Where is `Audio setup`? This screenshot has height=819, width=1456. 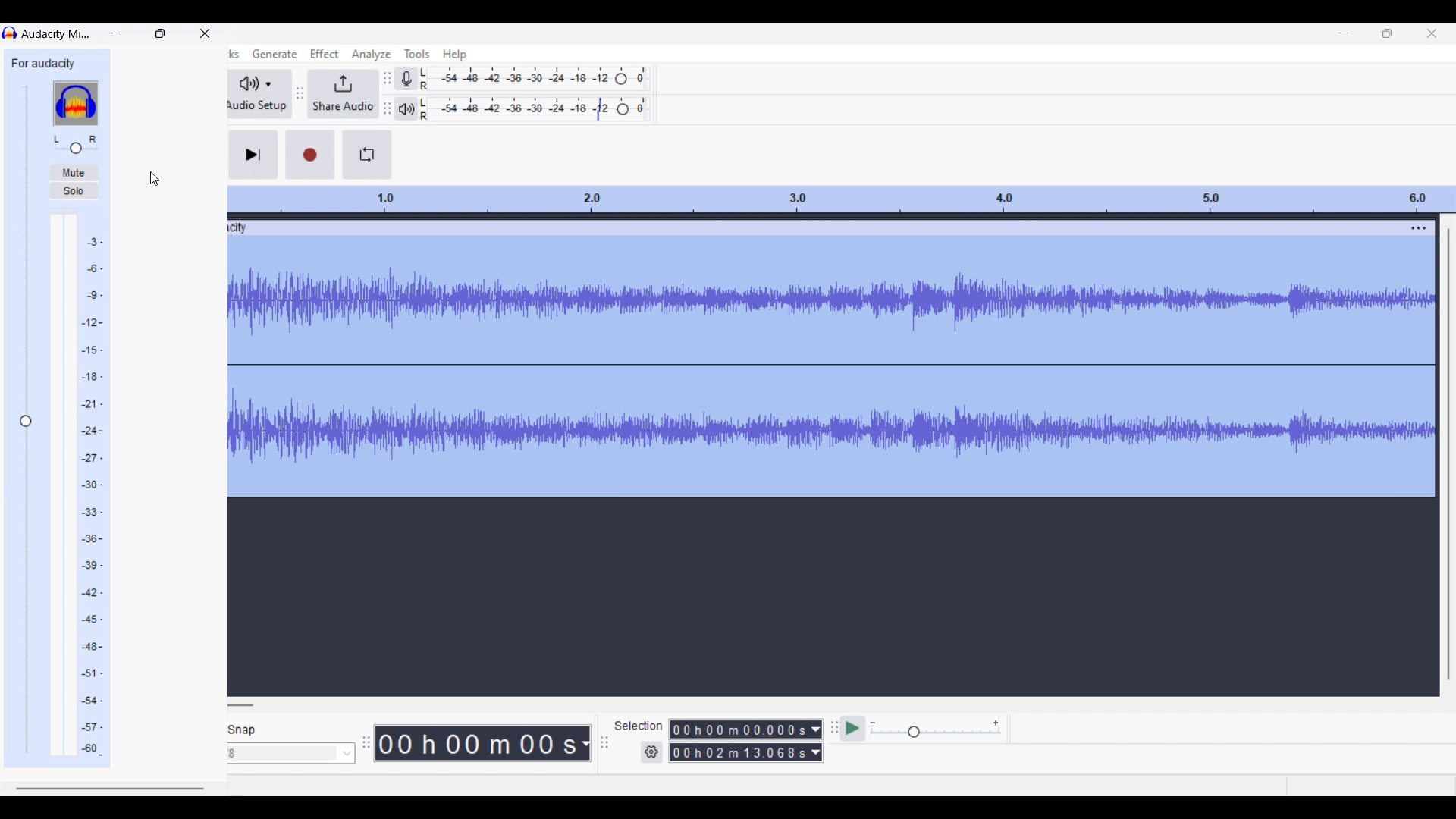
Audio setup is located at coordinates (260, 95).